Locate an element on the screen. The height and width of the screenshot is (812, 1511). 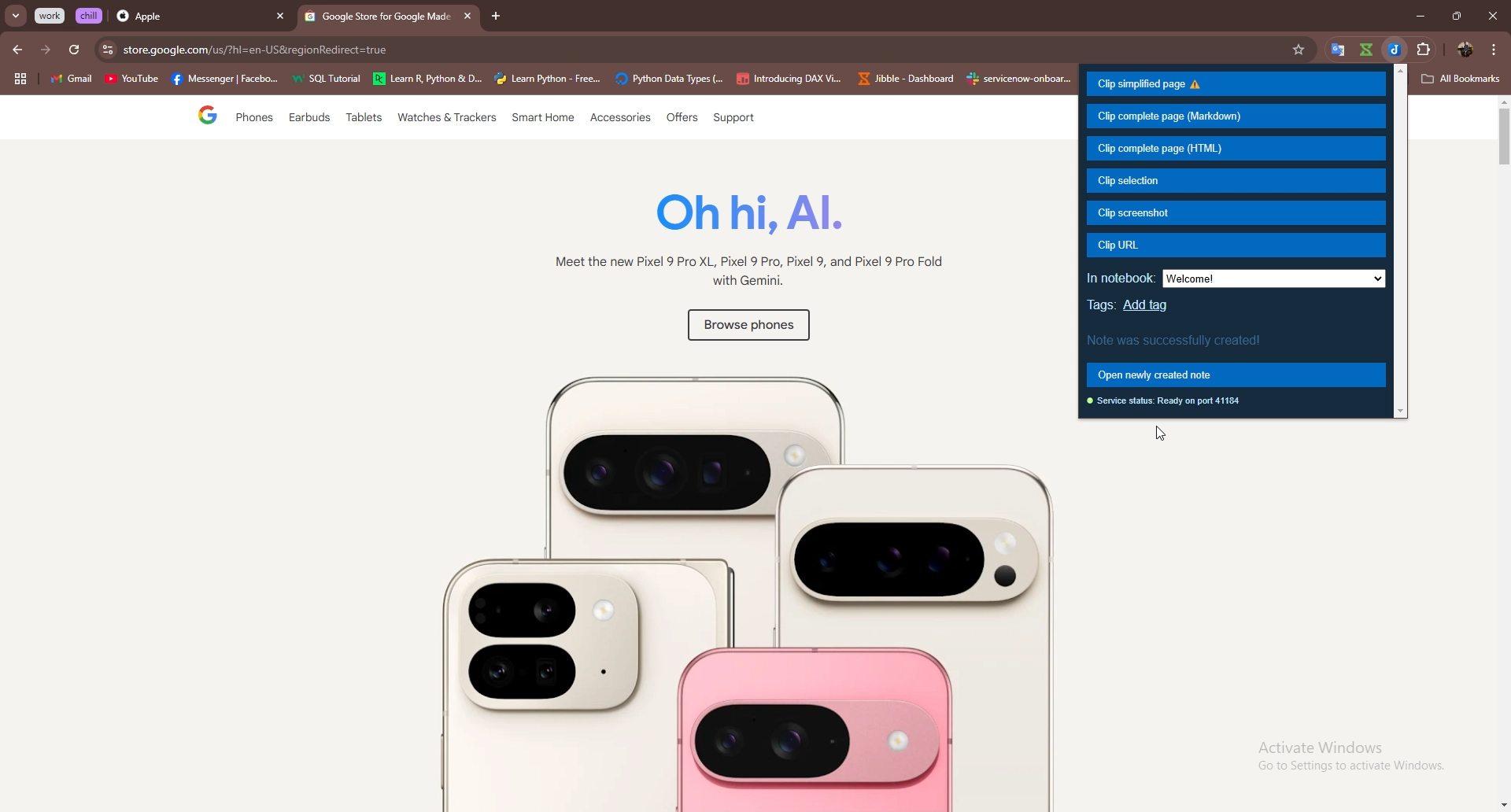
minimize is located at coordinates (1416, 17).